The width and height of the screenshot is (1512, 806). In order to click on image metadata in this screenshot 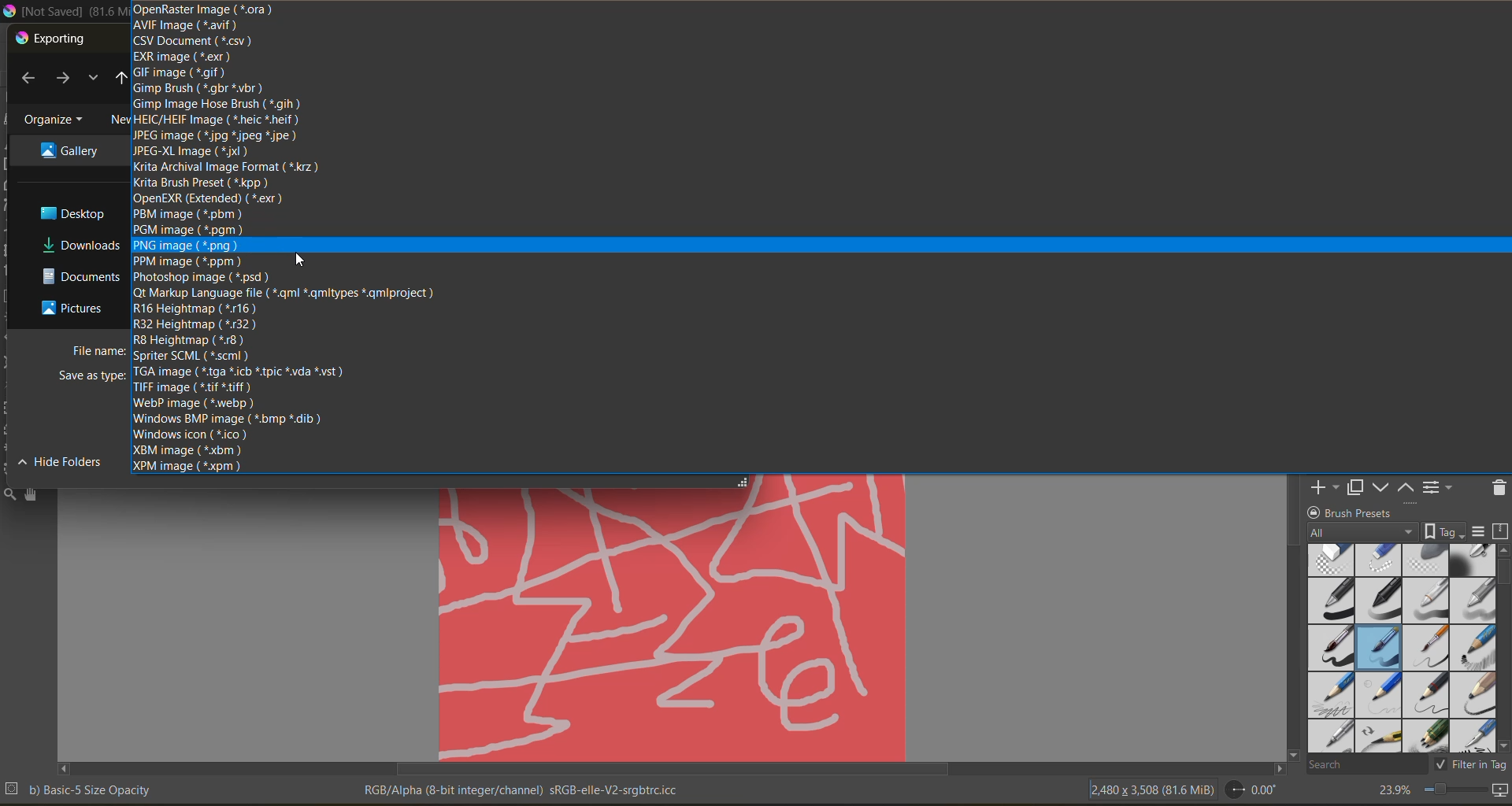, I will do `click(1151, 788)`.